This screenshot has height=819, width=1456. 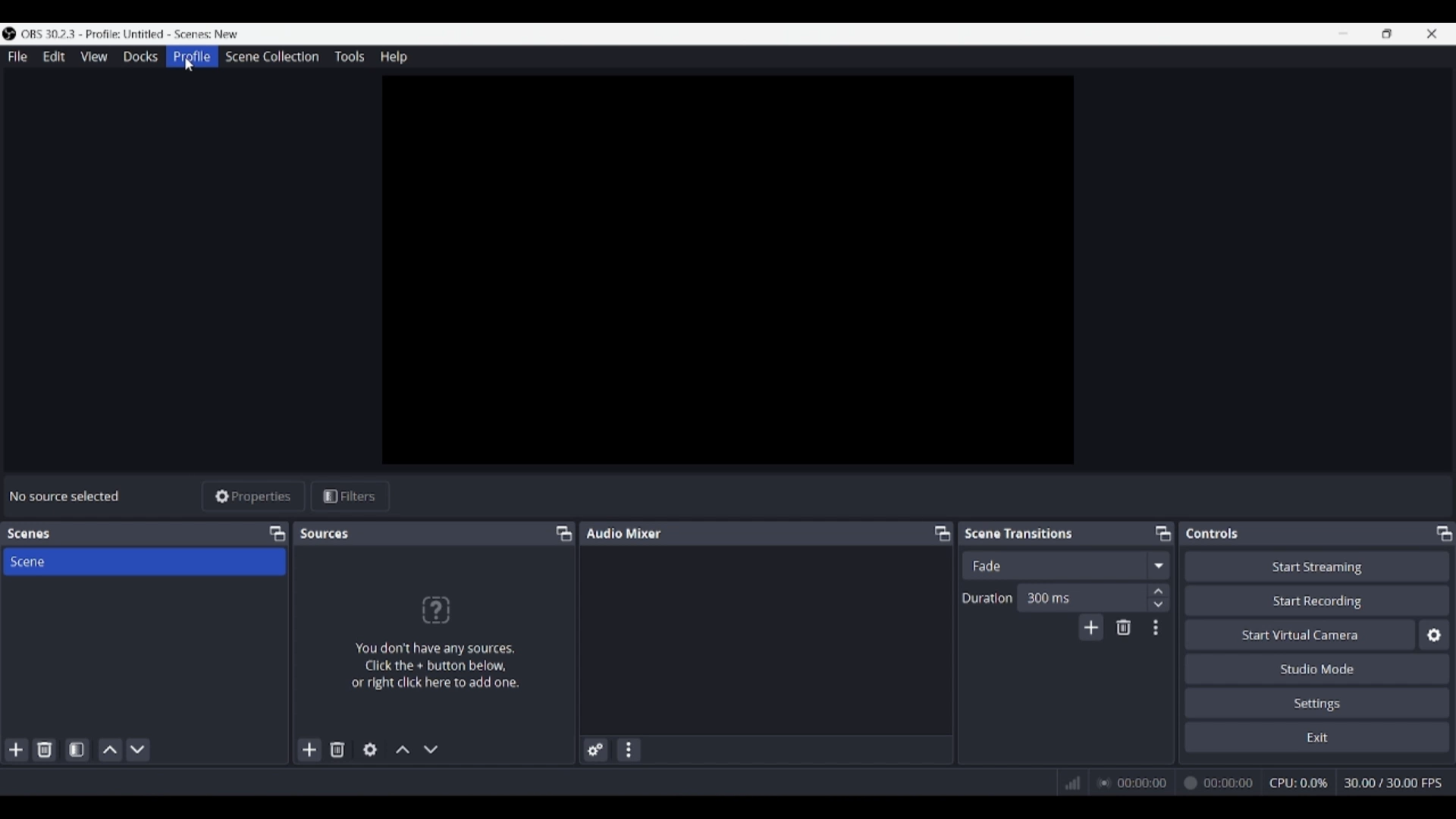 I want to click on Panel logo and text, so click(x=434, y=642).